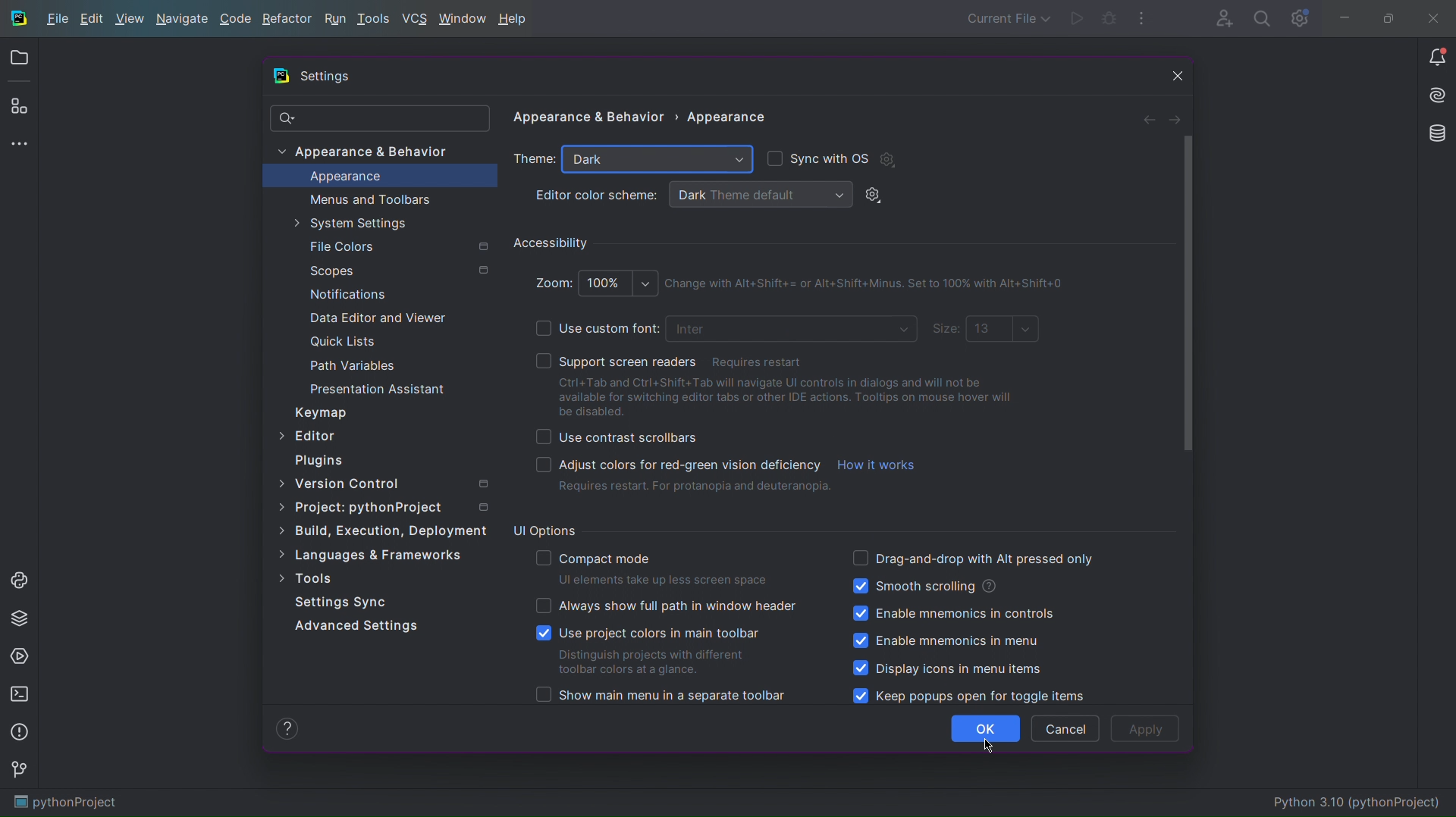 This screenshot has width=1456, height=817. Describe the element at coordinates (781, 358) in the screenshot. I see `Support screen readers` at that location.